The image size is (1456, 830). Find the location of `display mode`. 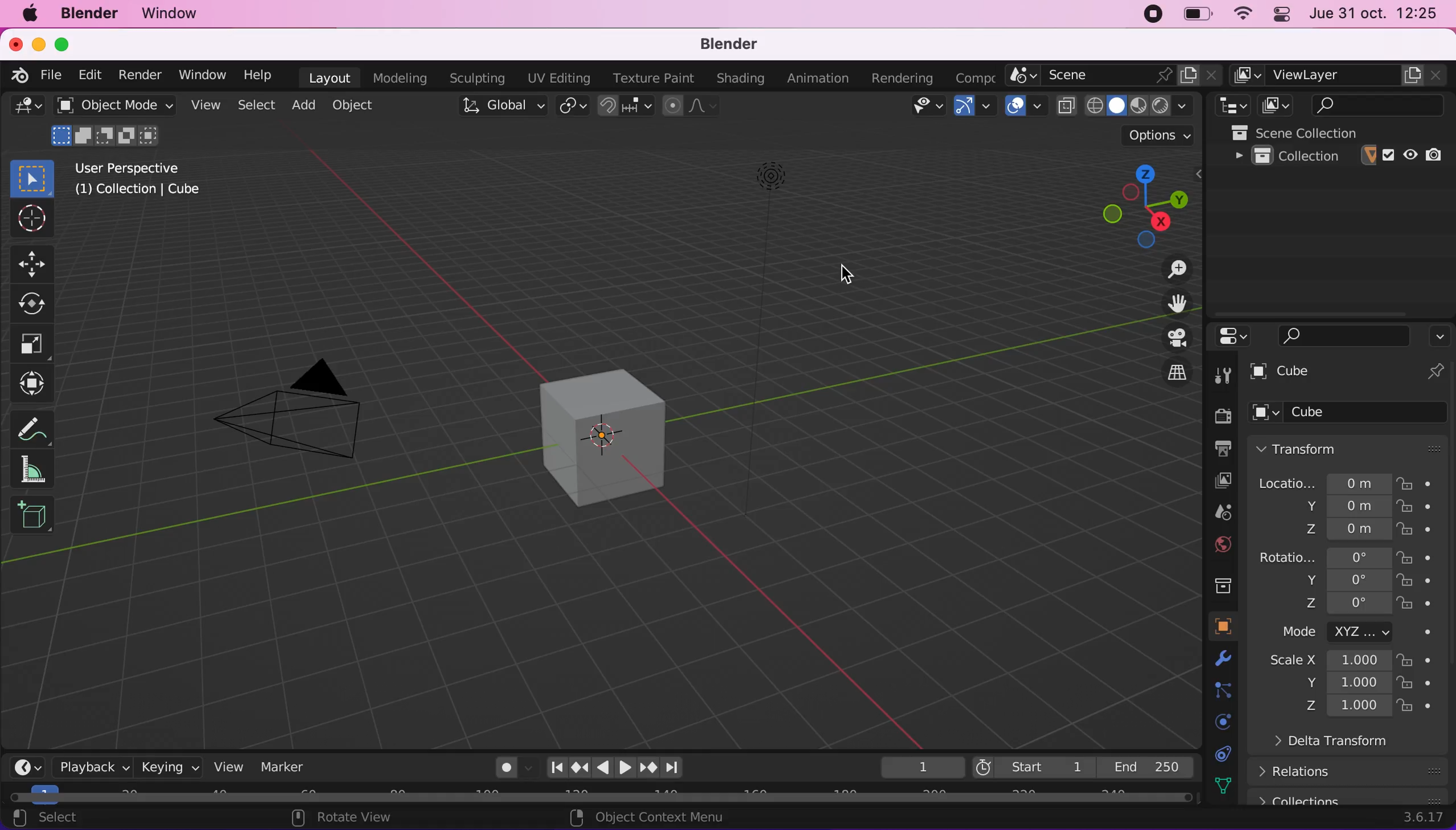

display mode is located at coordinates (1273, 105).